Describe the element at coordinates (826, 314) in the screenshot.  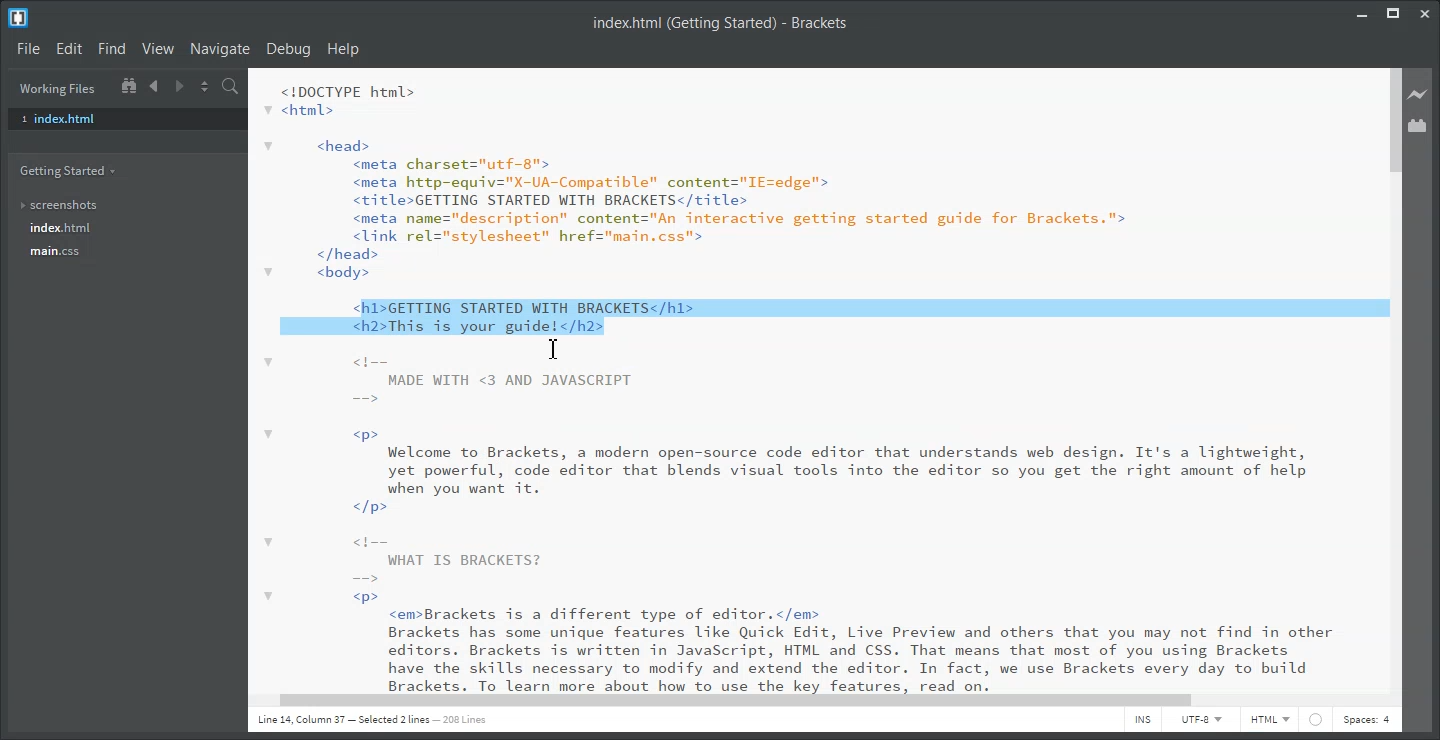
I see `Text` at that location.